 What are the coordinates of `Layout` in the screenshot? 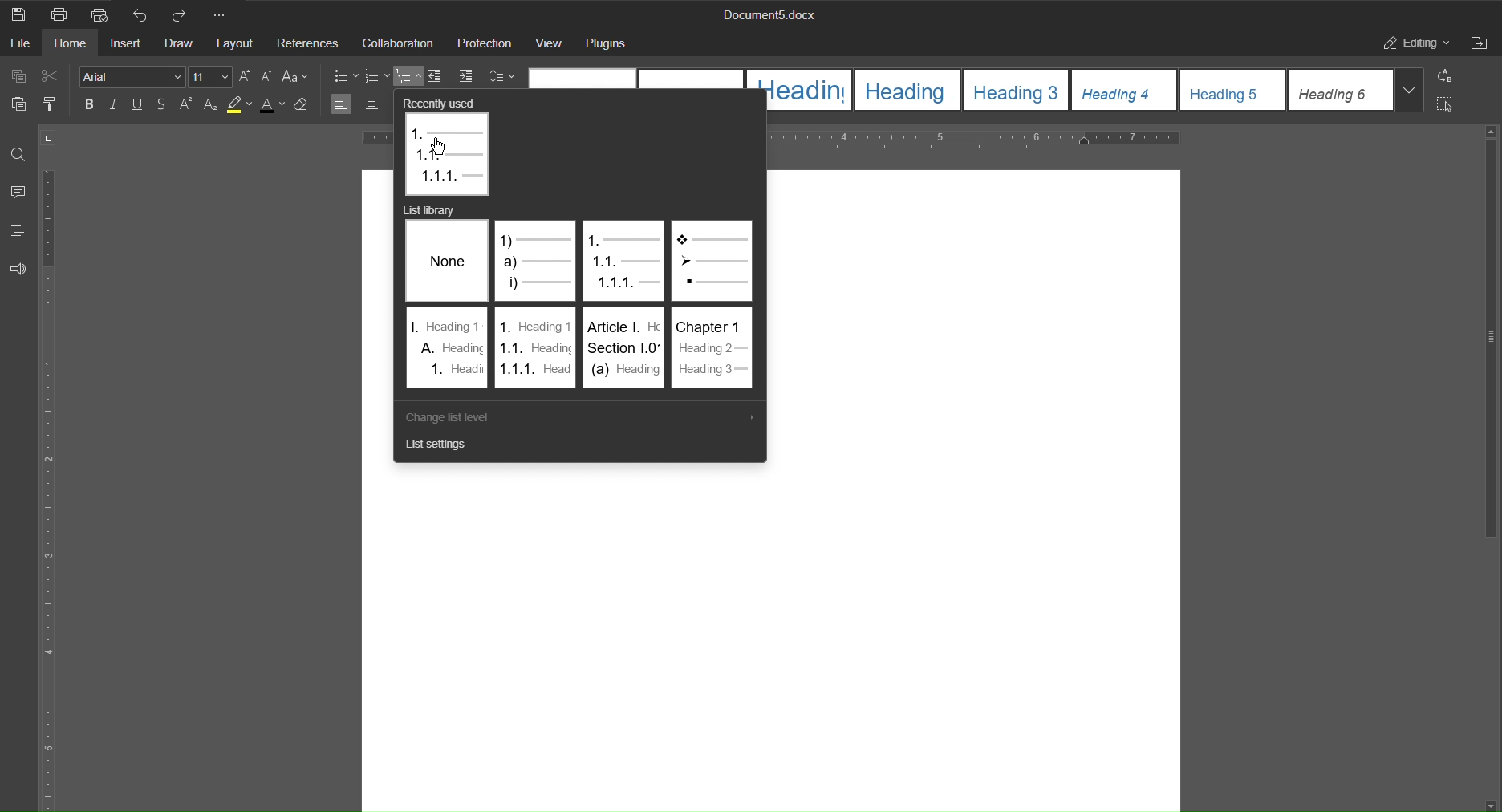 It's located at (239, 45).